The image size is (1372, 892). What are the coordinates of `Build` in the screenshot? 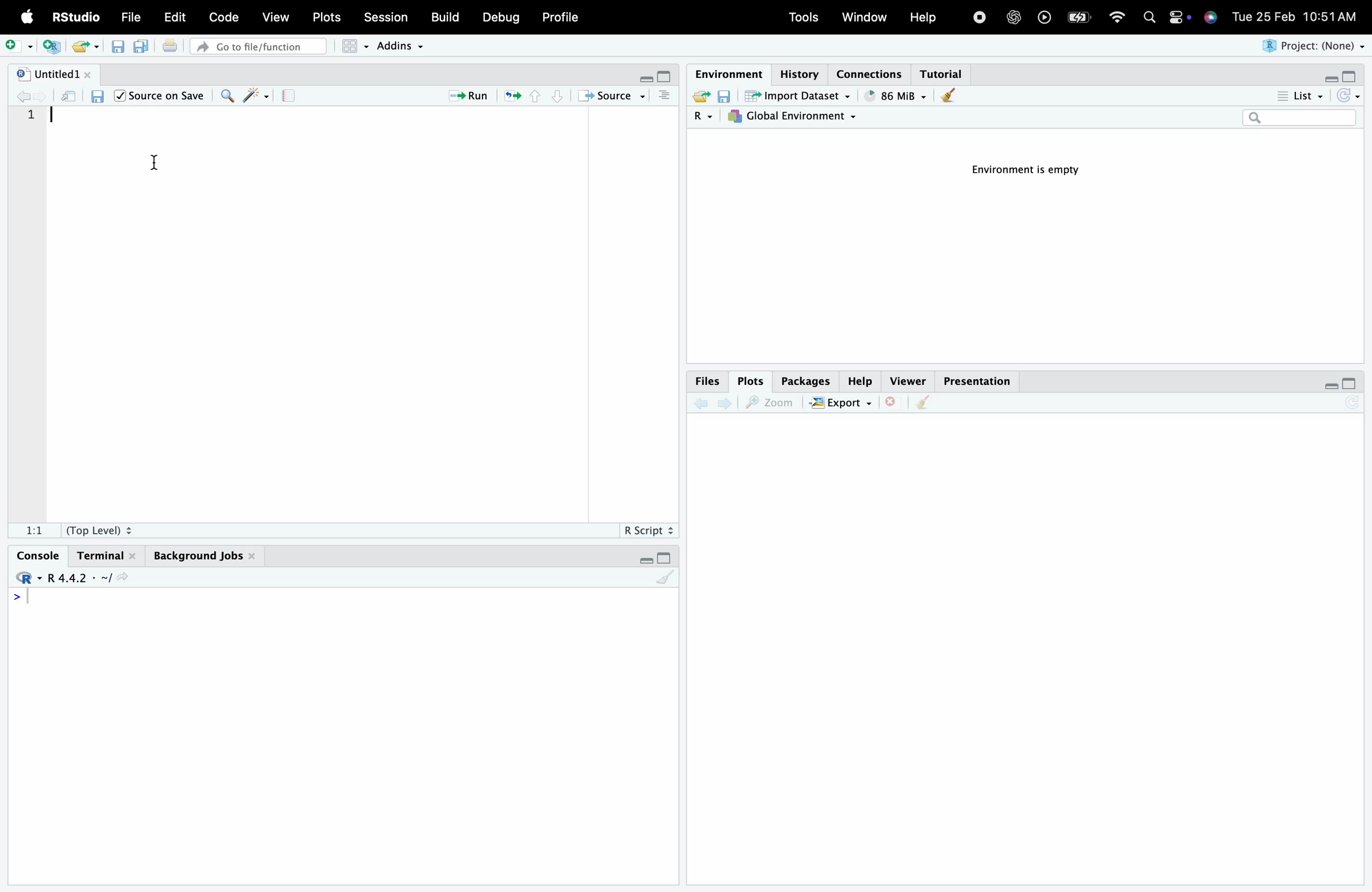 It's located at (448, 16).